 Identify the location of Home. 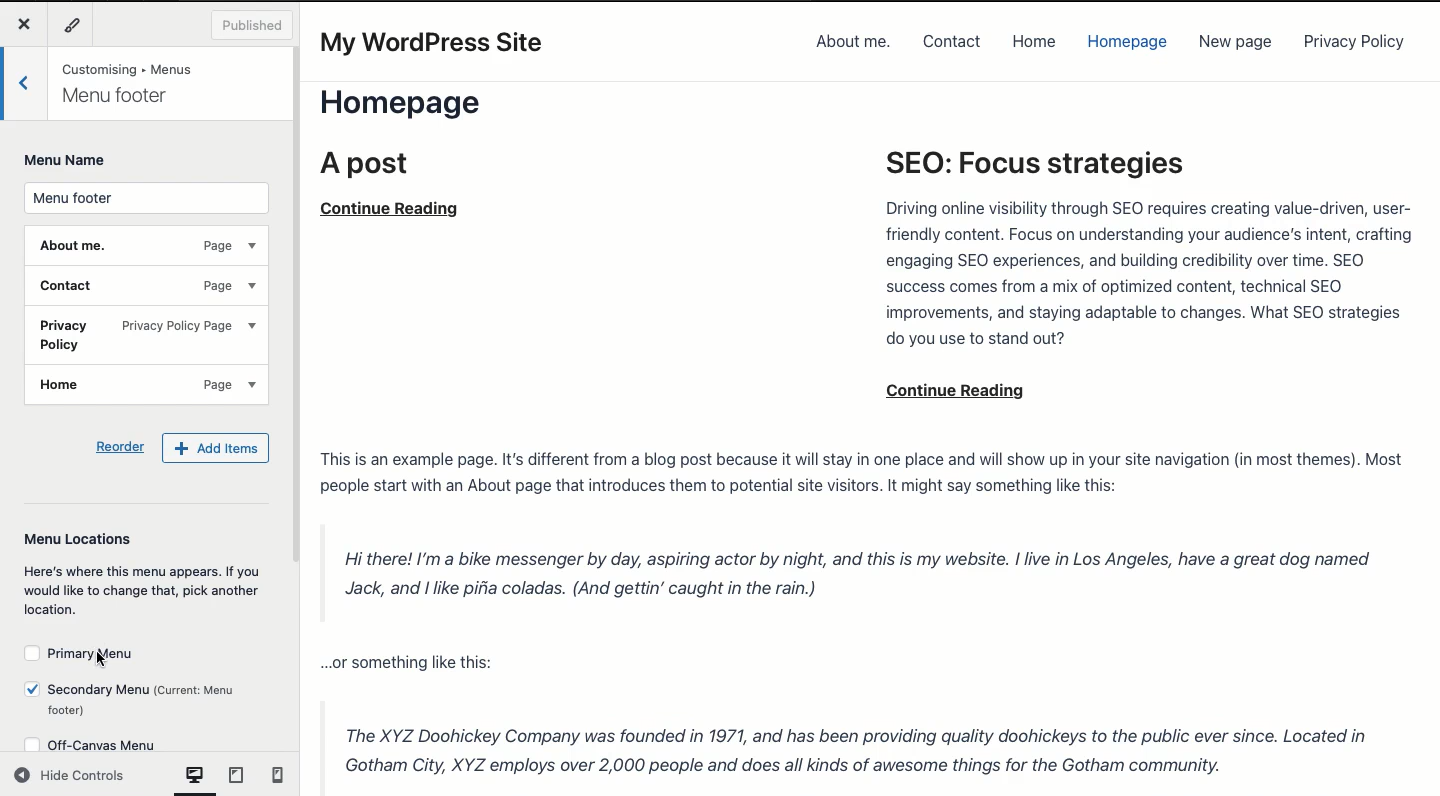
(145, 386).